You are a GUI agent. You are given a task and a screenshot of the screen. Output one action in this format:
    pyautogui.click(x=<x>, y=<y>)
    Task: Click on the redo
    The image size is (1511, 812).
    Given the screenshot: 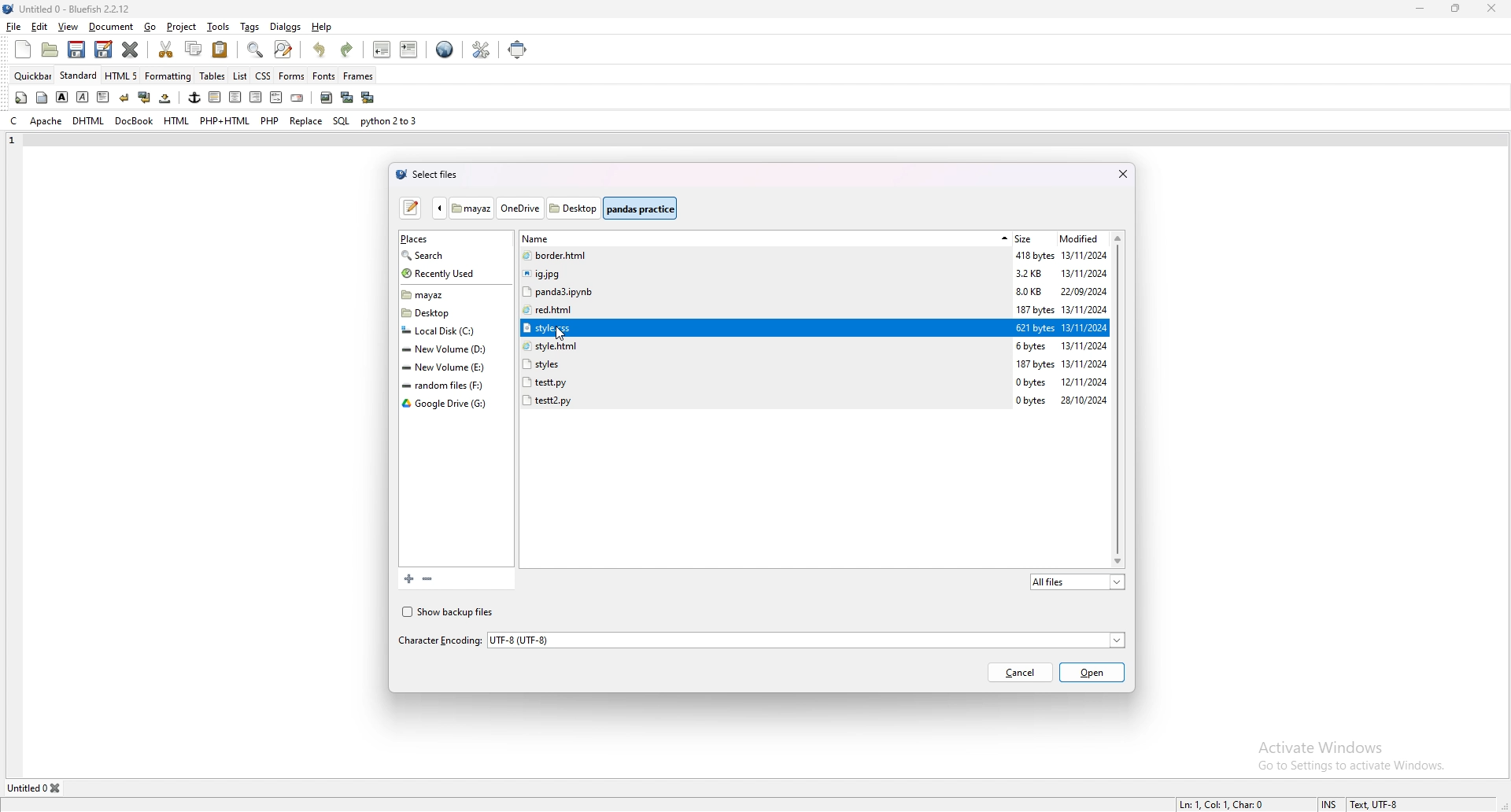 What is the action you would take?
    pyautogui.click(x=350, y=50)
    